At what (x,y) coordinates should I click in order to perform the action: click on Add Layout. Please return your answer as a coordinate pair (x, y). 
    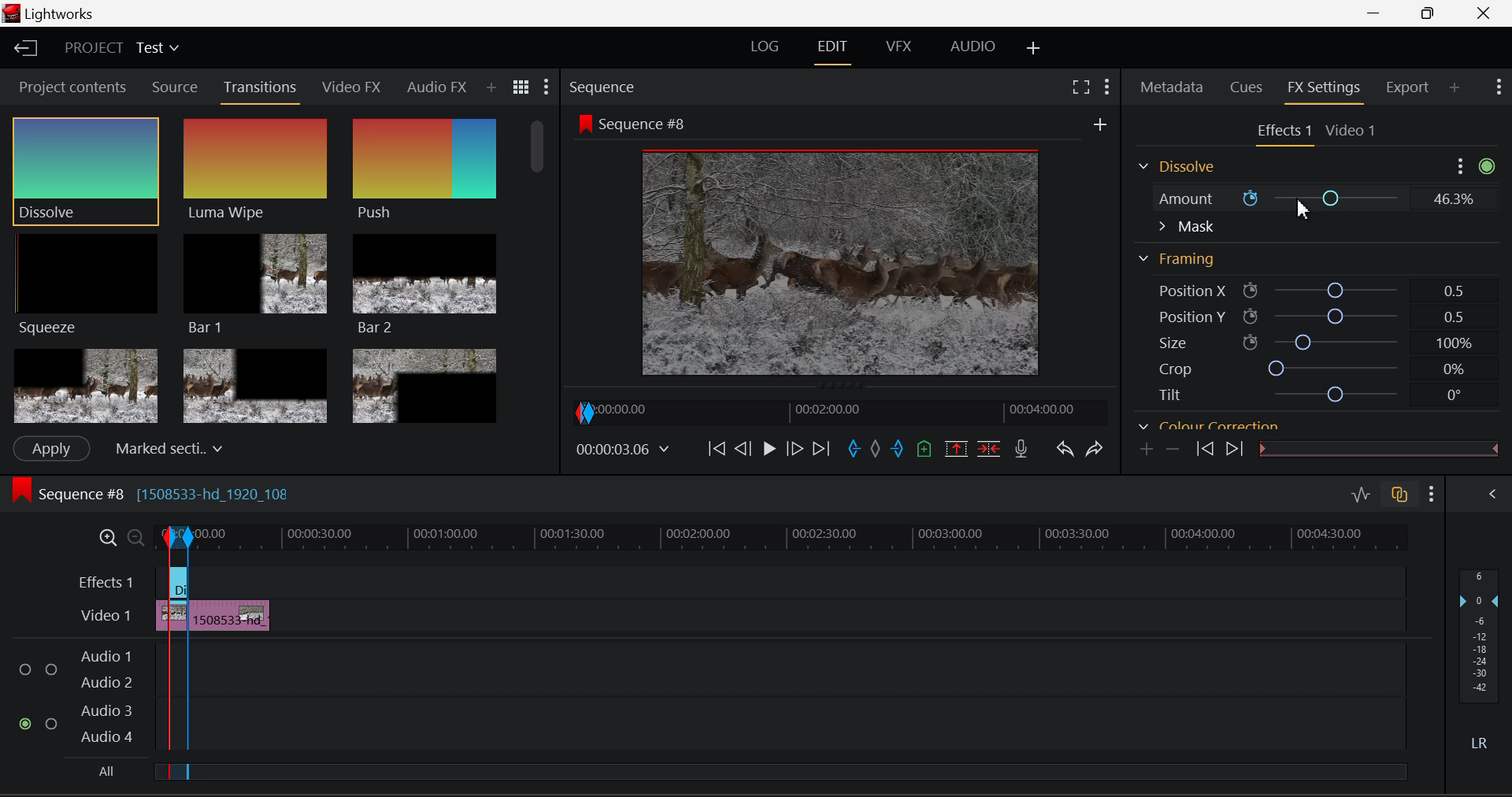
    Looking at the image, I should click on (1034, 50).